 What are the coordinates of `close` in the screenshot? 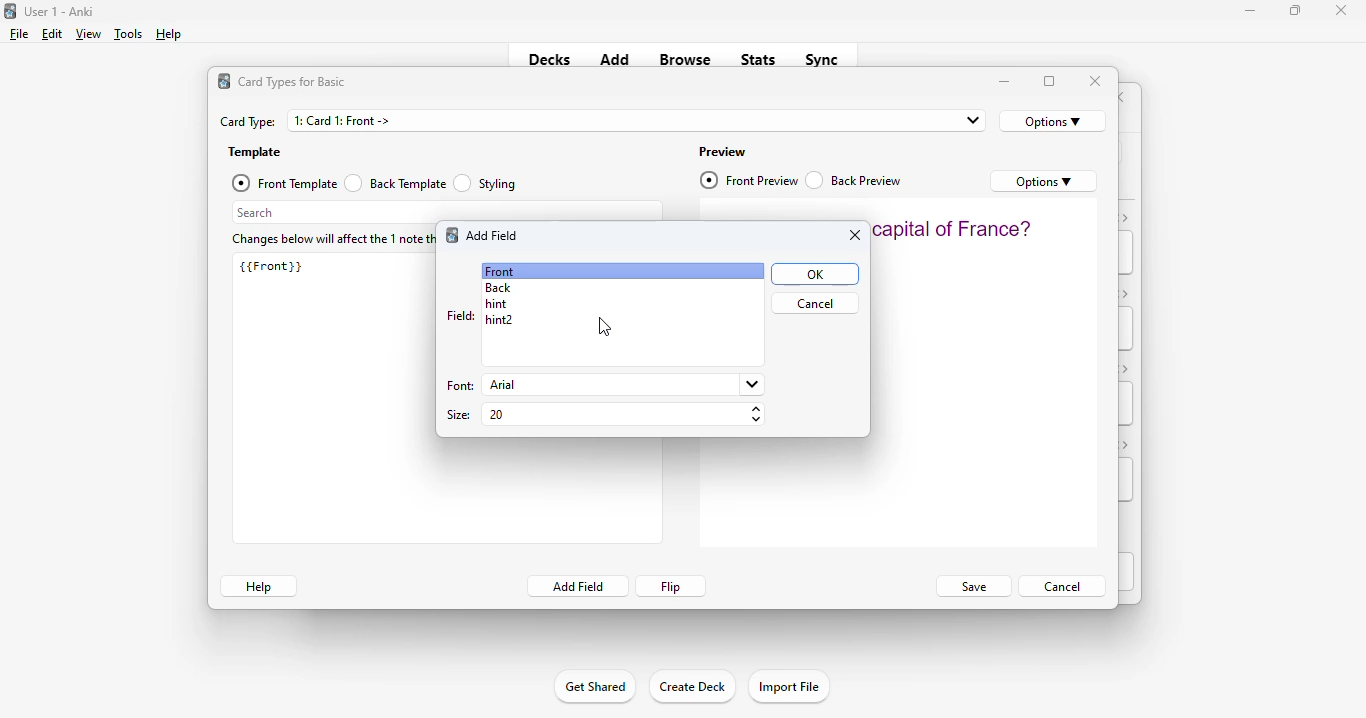 It's located at (1096, 81).